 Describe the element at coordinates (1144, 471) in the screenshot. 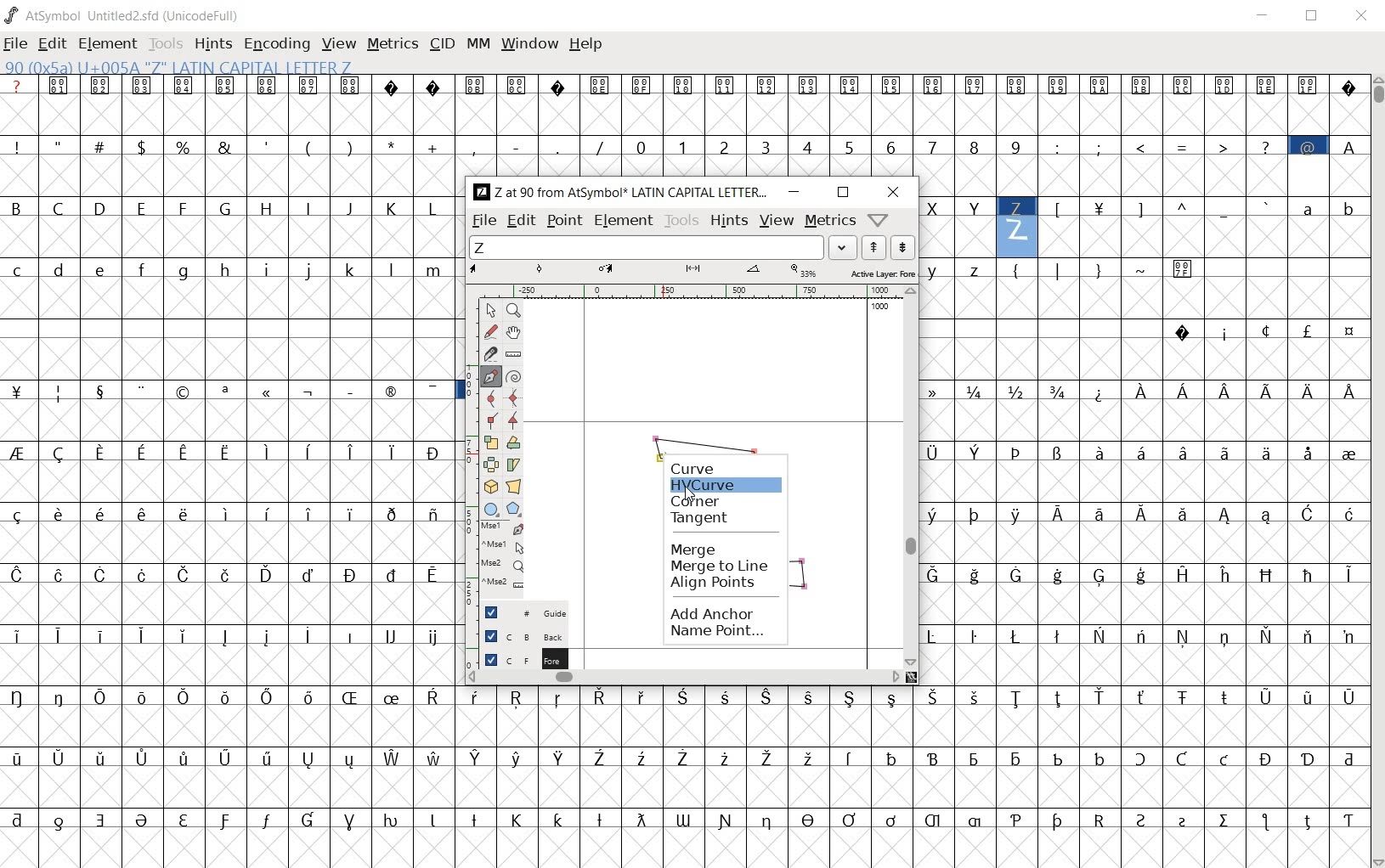

I see `glyph characters` at that location.